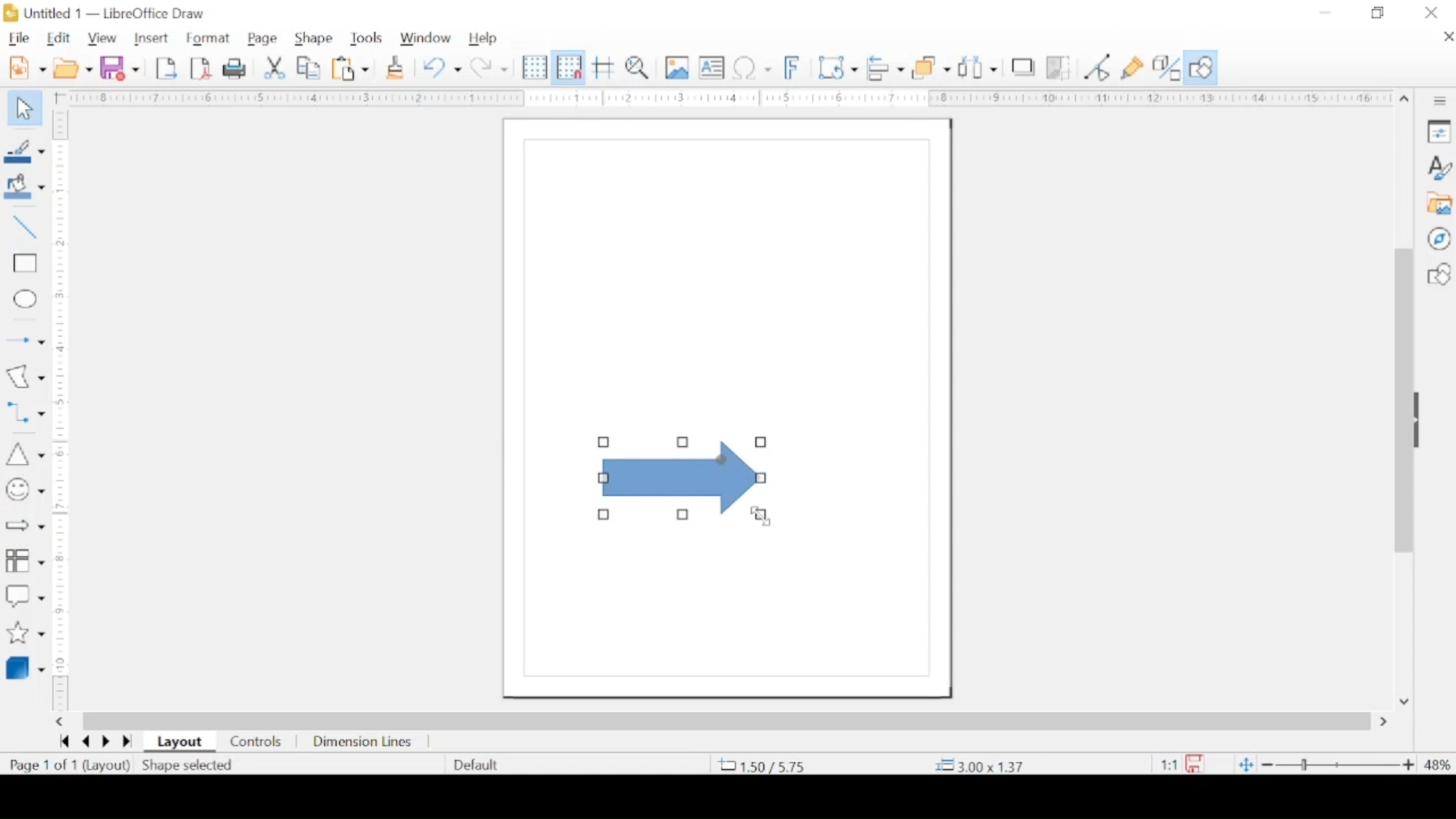  What do you see at coordinates (1166, 67) in the screenshot?
I see `toggle extrusion` at bounding box center [1166, 67].